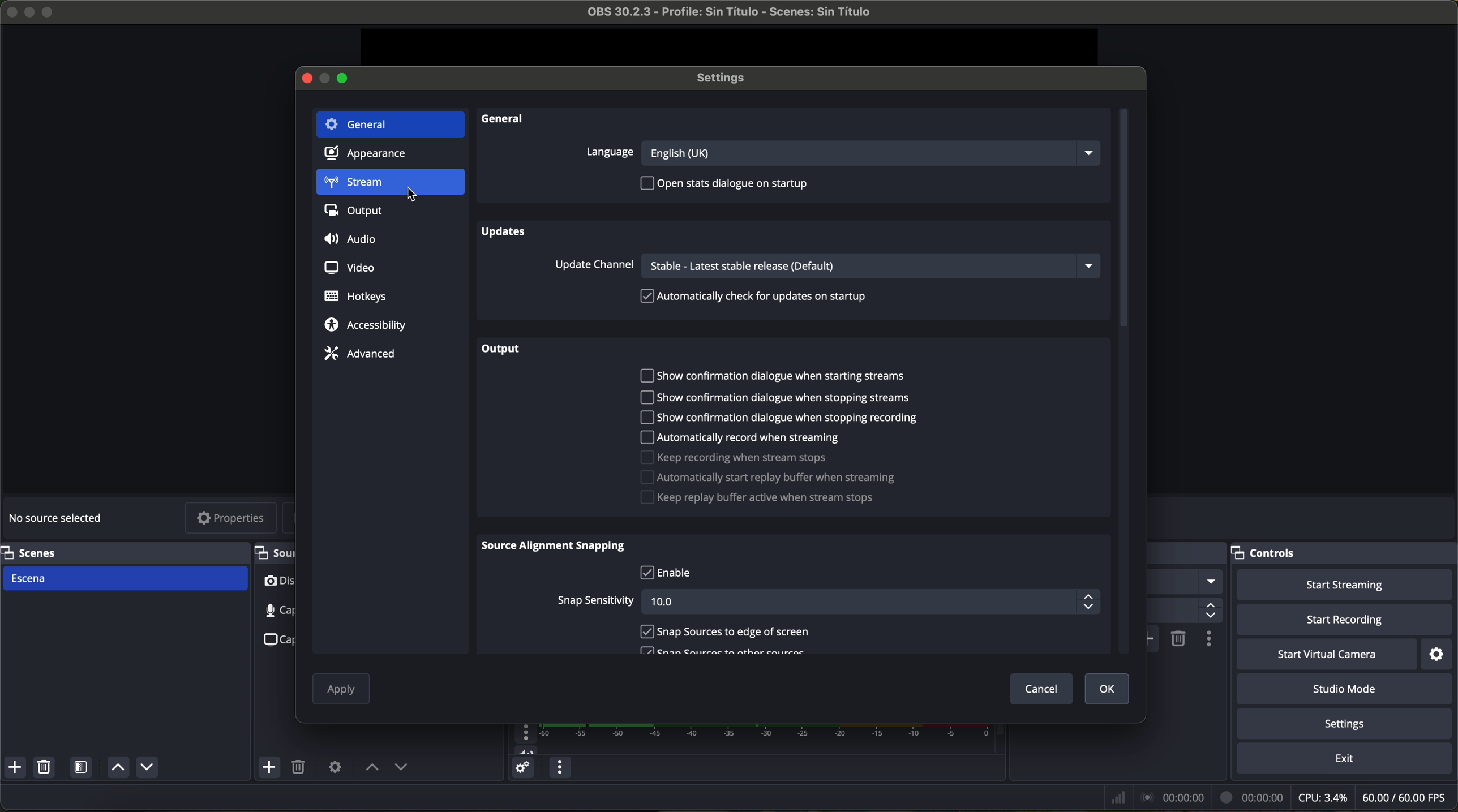 This screenshot has height=812, width=1458. What do you see at coordinates (271, 611) in the screenshot?
I see `audio input capture` at bounding box center [271, 611].